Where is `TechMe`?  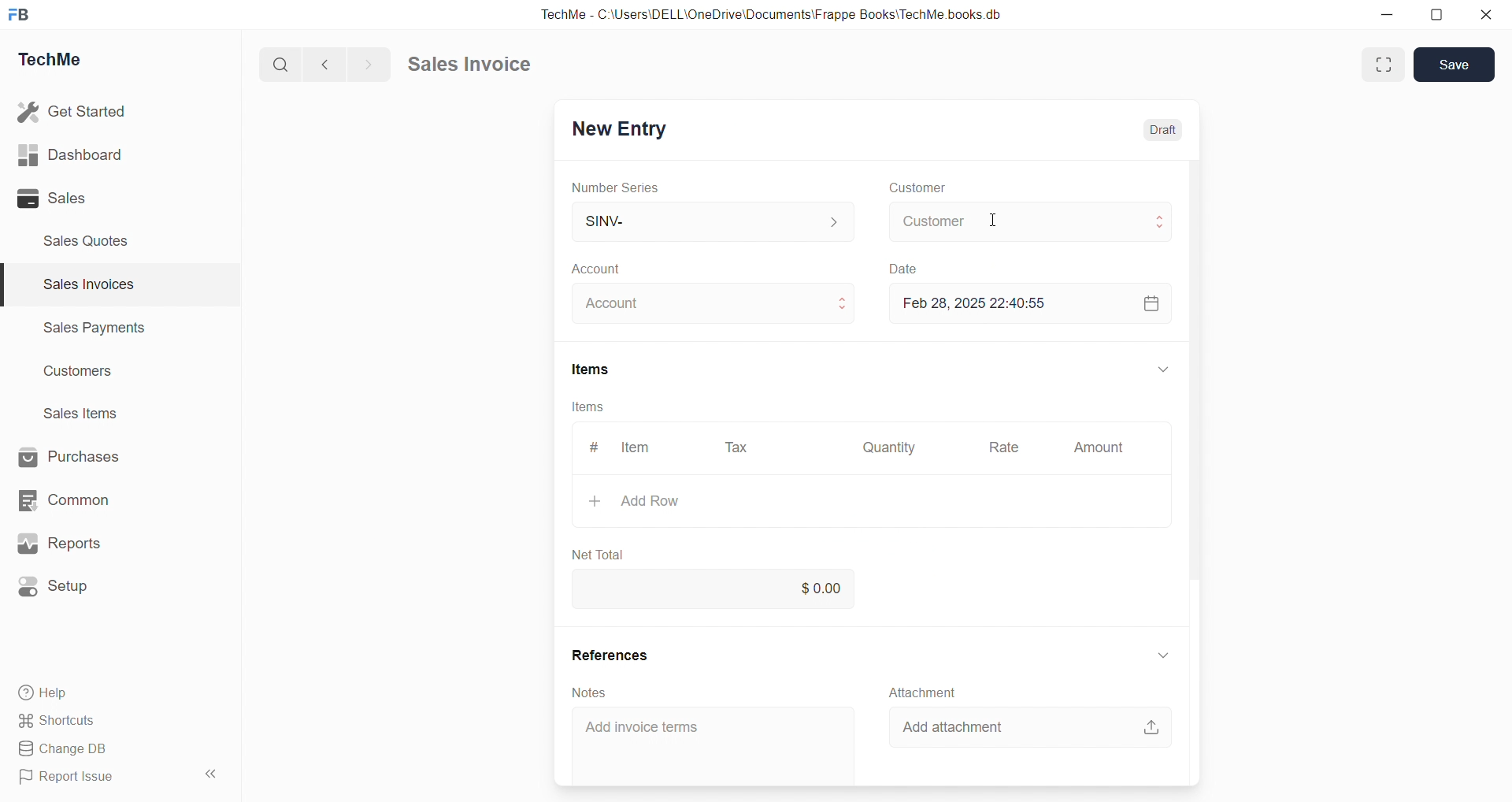
TechMe is located at coordinates (50, 60).